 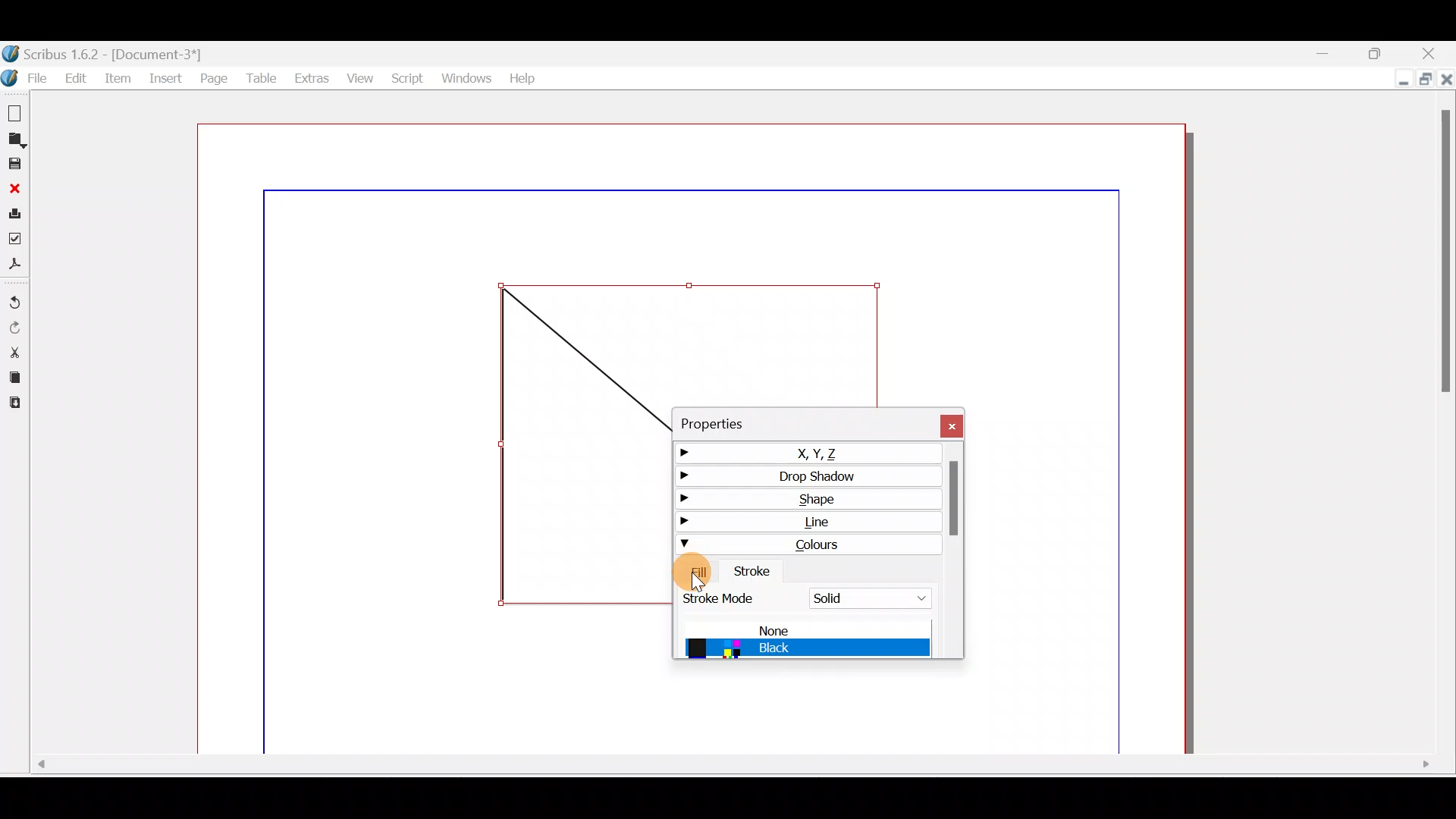 What do you see at coordinates (24, 78) in the screenshot?
I see `File` at bounding box center [24, 78].